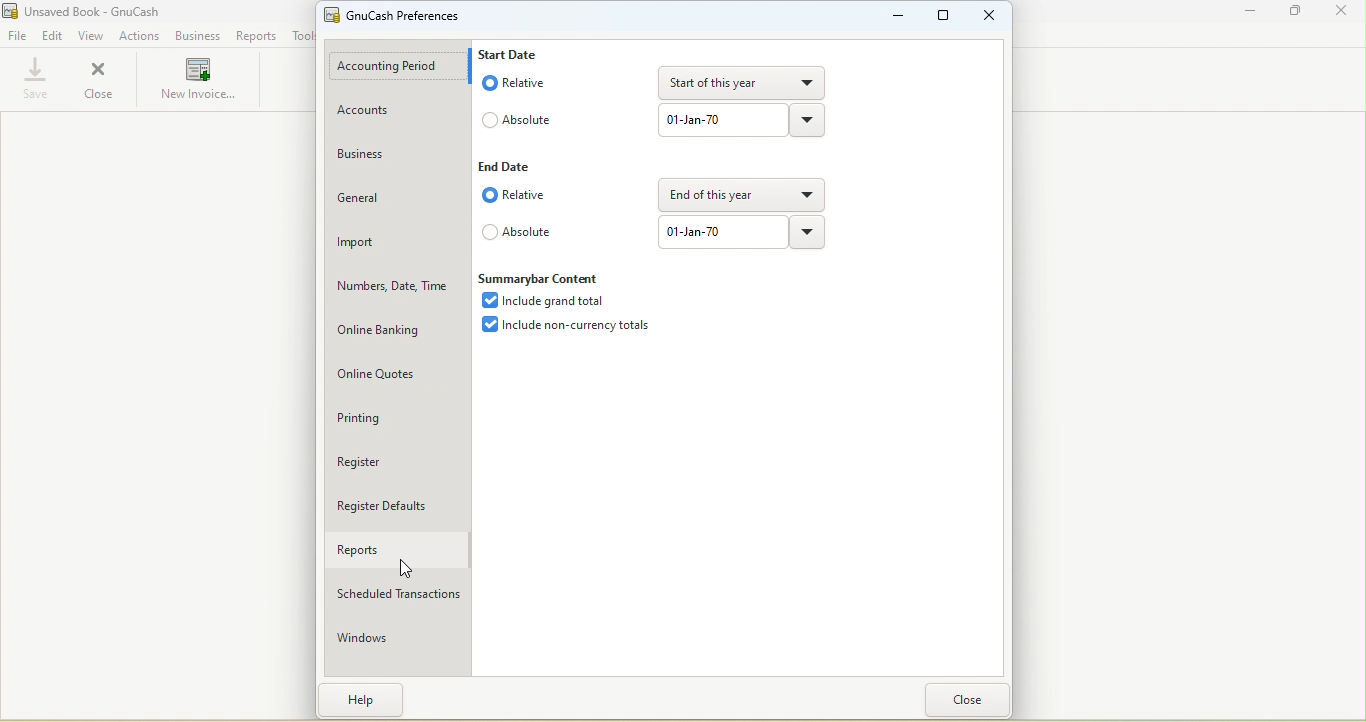 Image resolution: width=1366 pixels, height=722 pixels. What do you see at coordinates (899, 15) in the screenshot?
I see `Minimize` at bounding box center [899, 15].